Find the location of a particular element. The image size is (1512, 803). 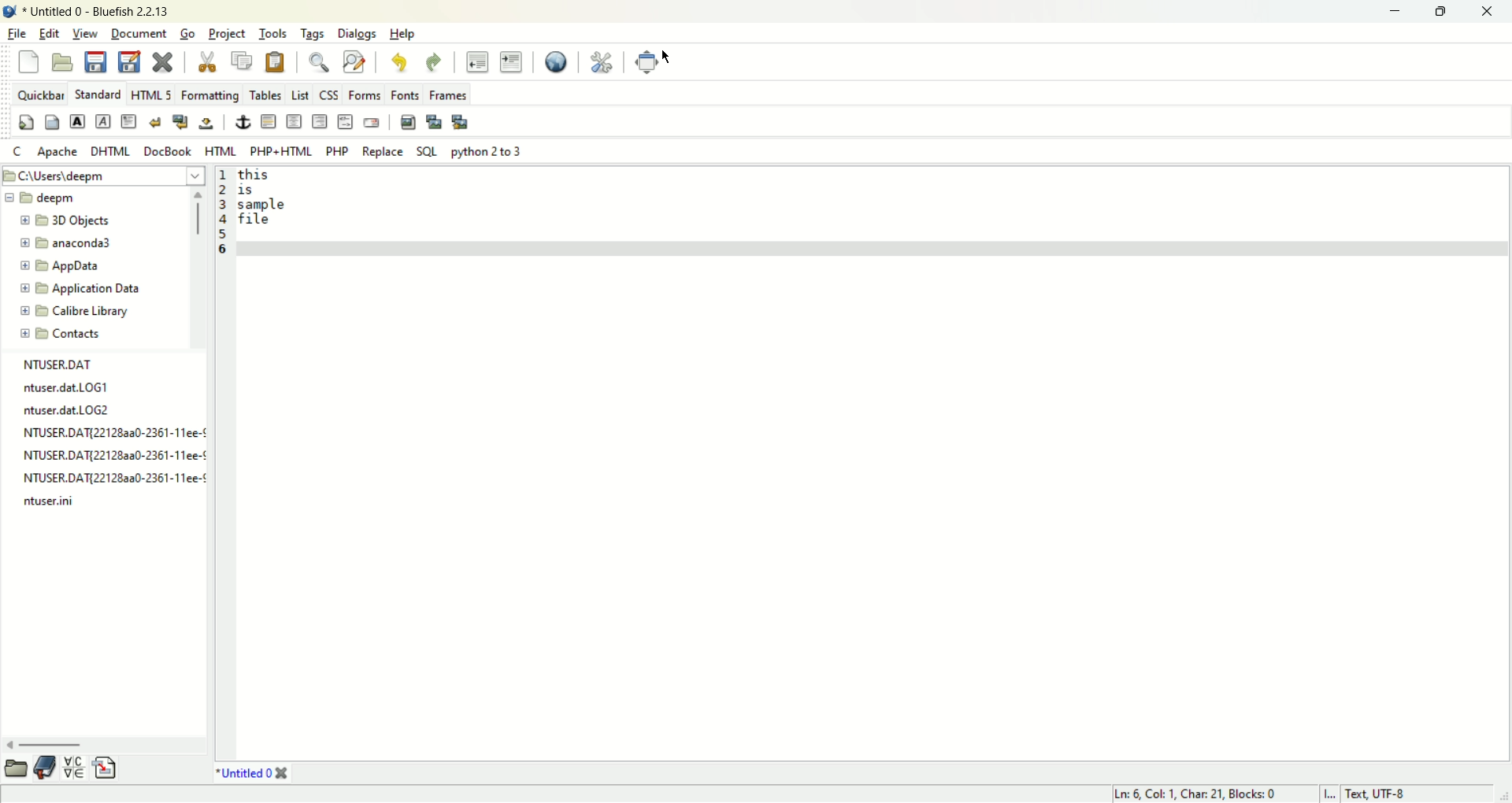

email is located at coordinates (372, 123).